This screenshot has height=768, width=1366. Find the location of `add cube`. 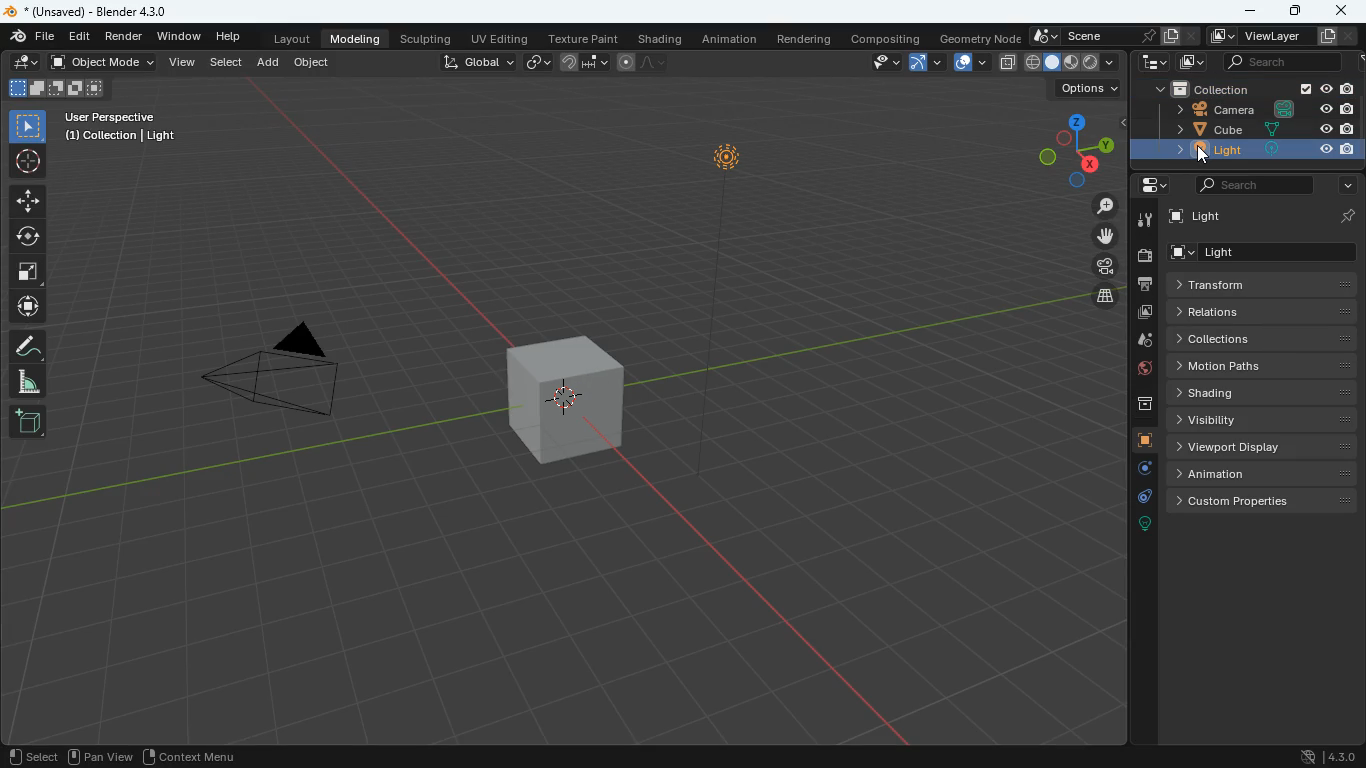

add cube is located at coordinates (27, 422).